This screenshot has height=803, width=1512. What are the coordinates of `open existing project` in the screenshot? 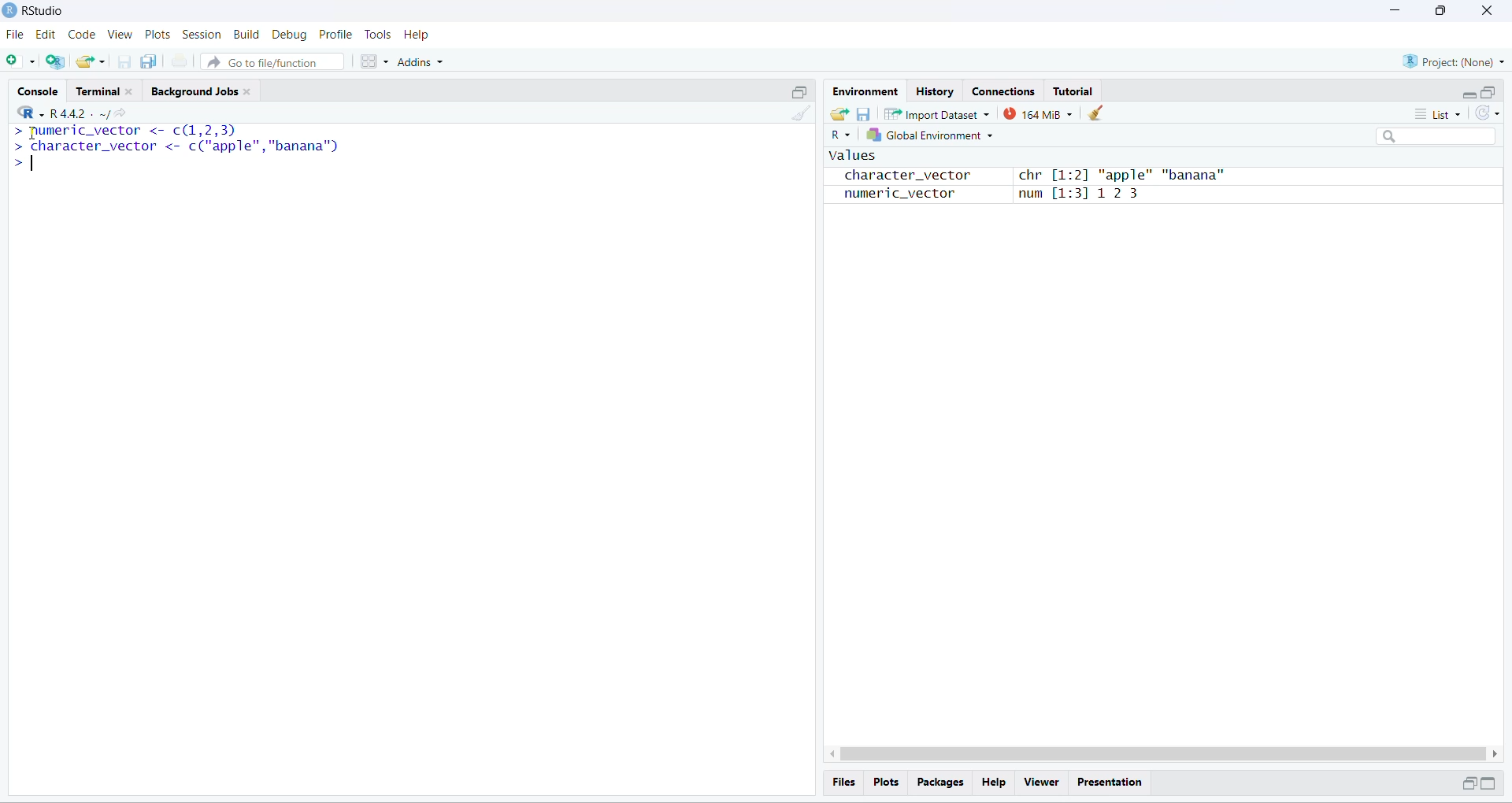 It's located at (91, 61).